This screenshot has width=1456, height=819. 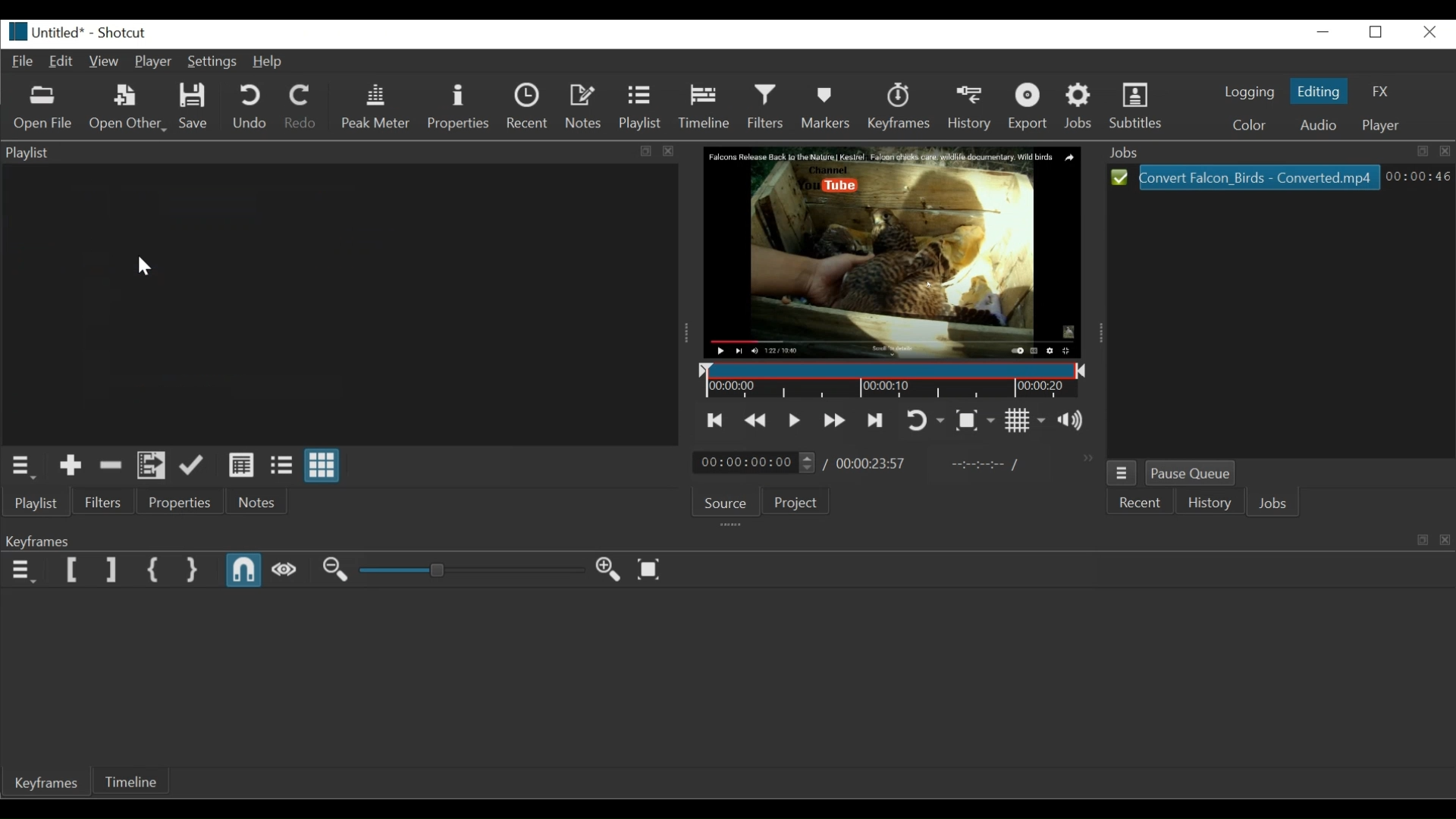 What do you see at coordinates (192, 106) in the screenshot?
I see `Save` at bounding box center [192, 106].